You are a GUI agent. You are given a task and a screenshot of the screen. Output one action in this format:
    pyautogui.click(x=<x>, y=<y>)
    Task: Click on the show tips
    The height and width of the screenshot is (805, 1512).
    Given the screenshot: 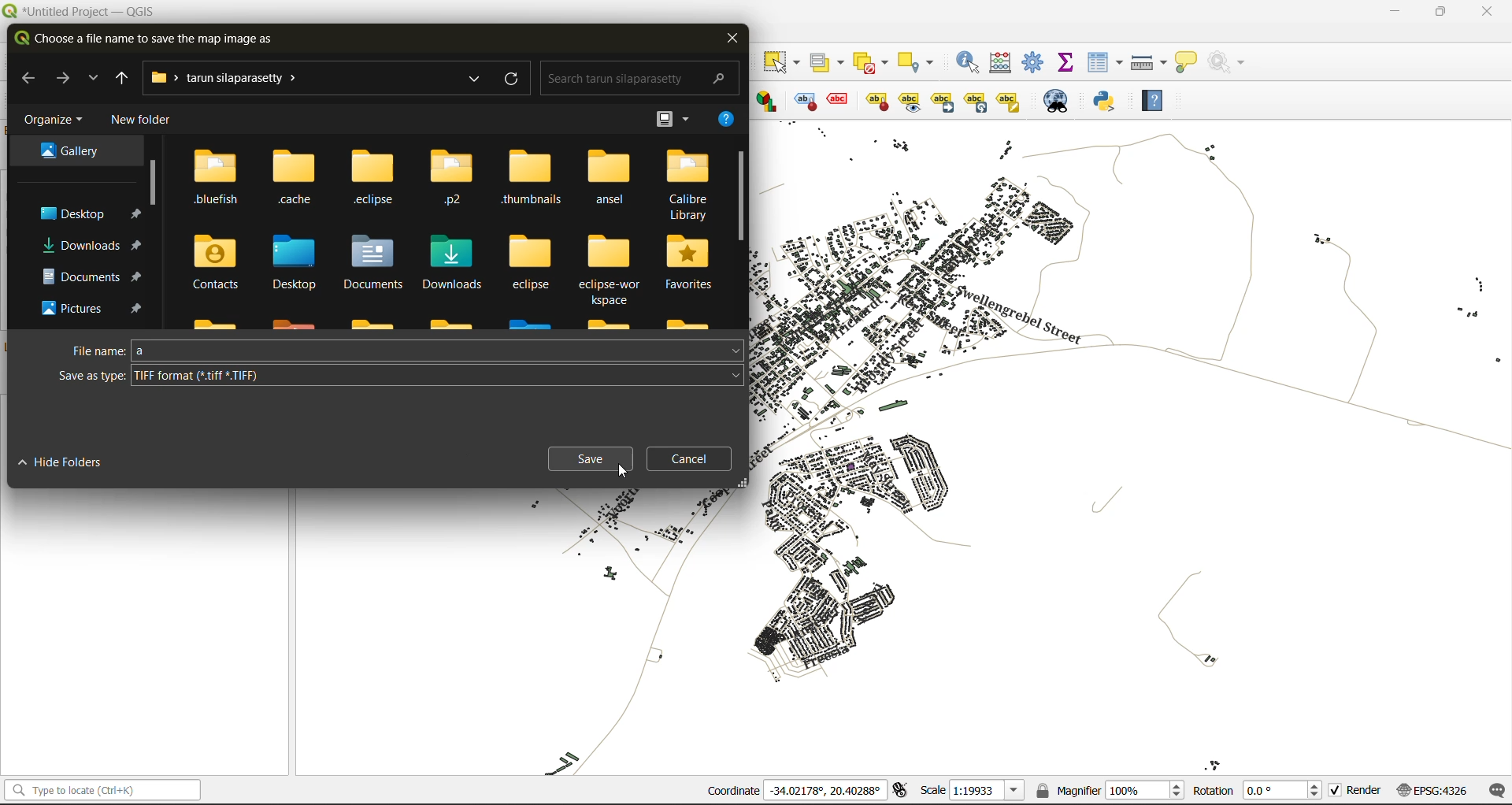 What is the action you would take?
    pyautogui.click(x=1191, y=61)
    